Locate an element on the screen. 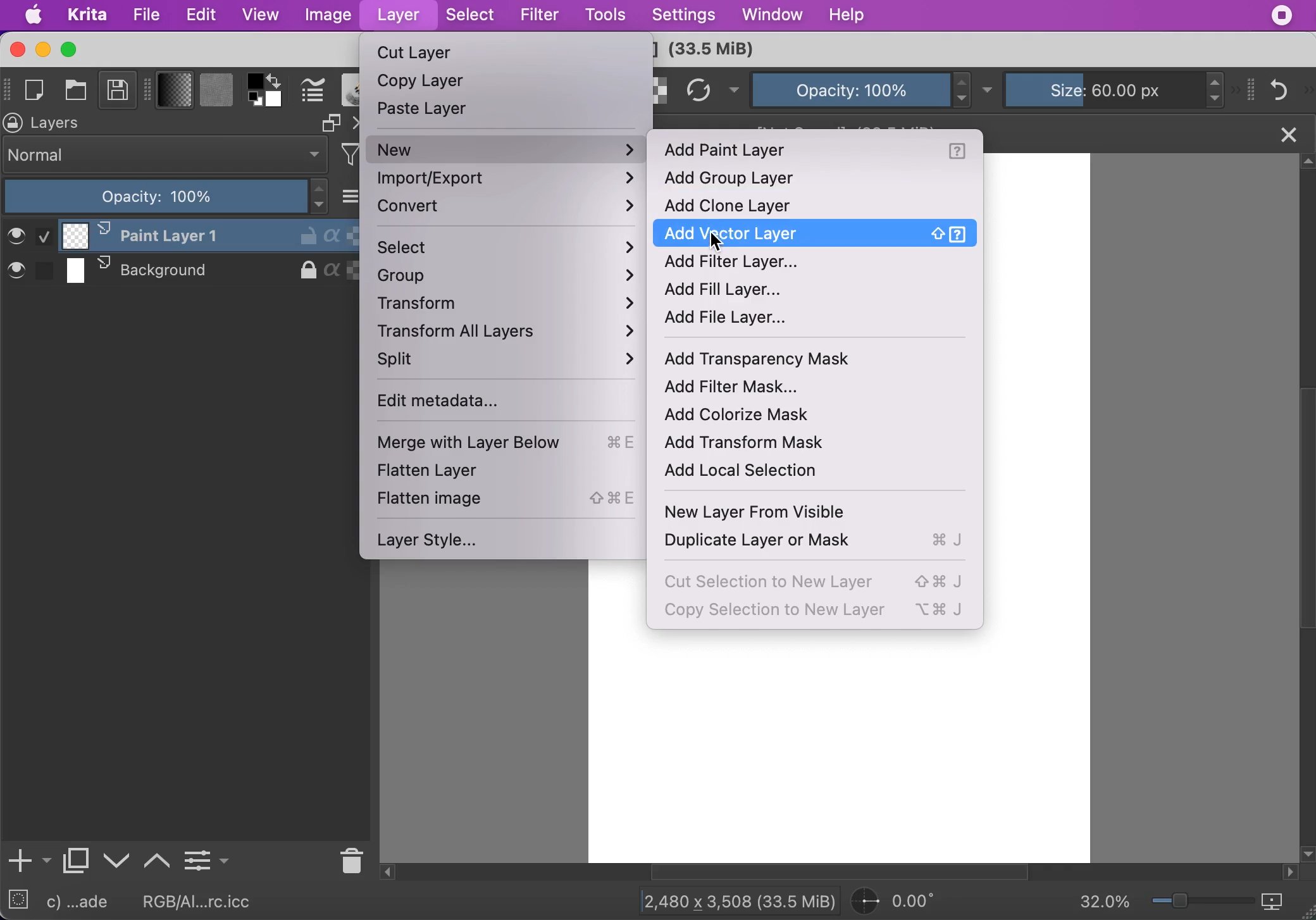 The image size is (1316, 920). add clone layer is located at coordinates (742, 205).